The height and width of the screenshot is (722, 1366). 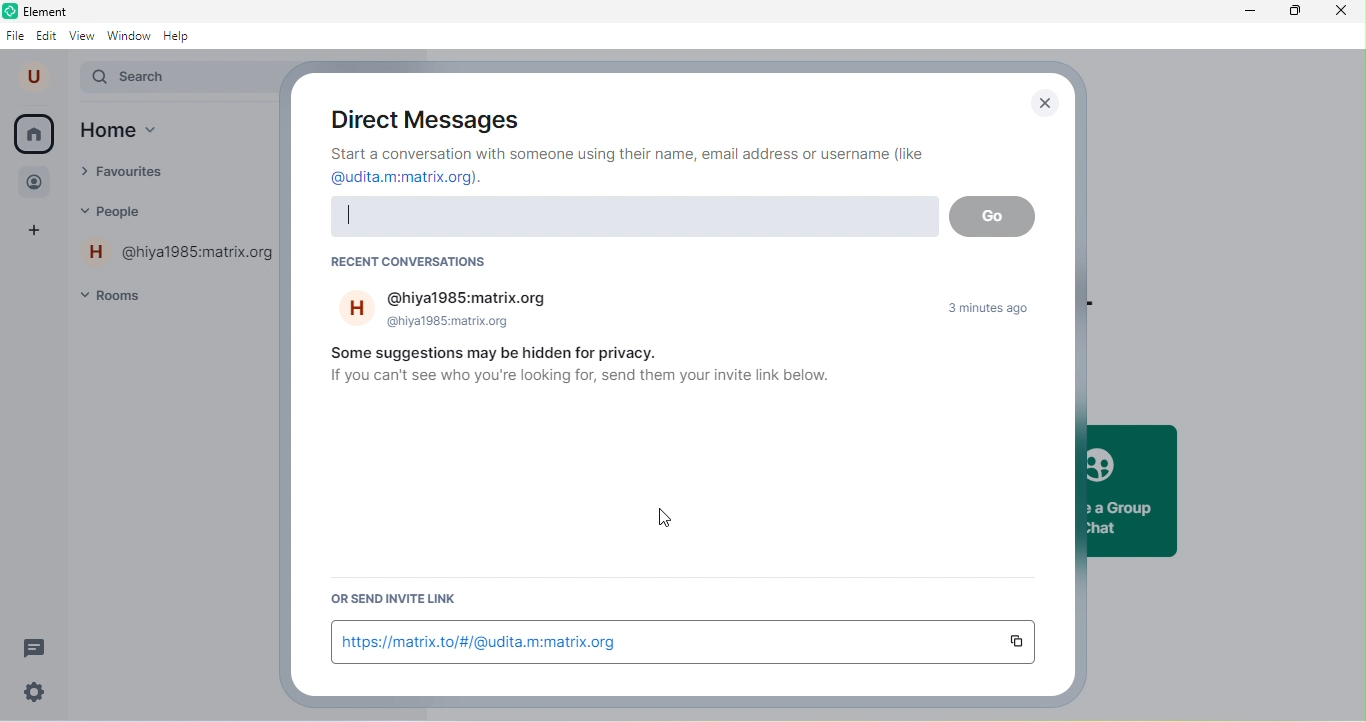 What do you see at coordinates (414, 179) in the screenshot?
I see `@udita m matrix.org` at bounding box center [414, 179].